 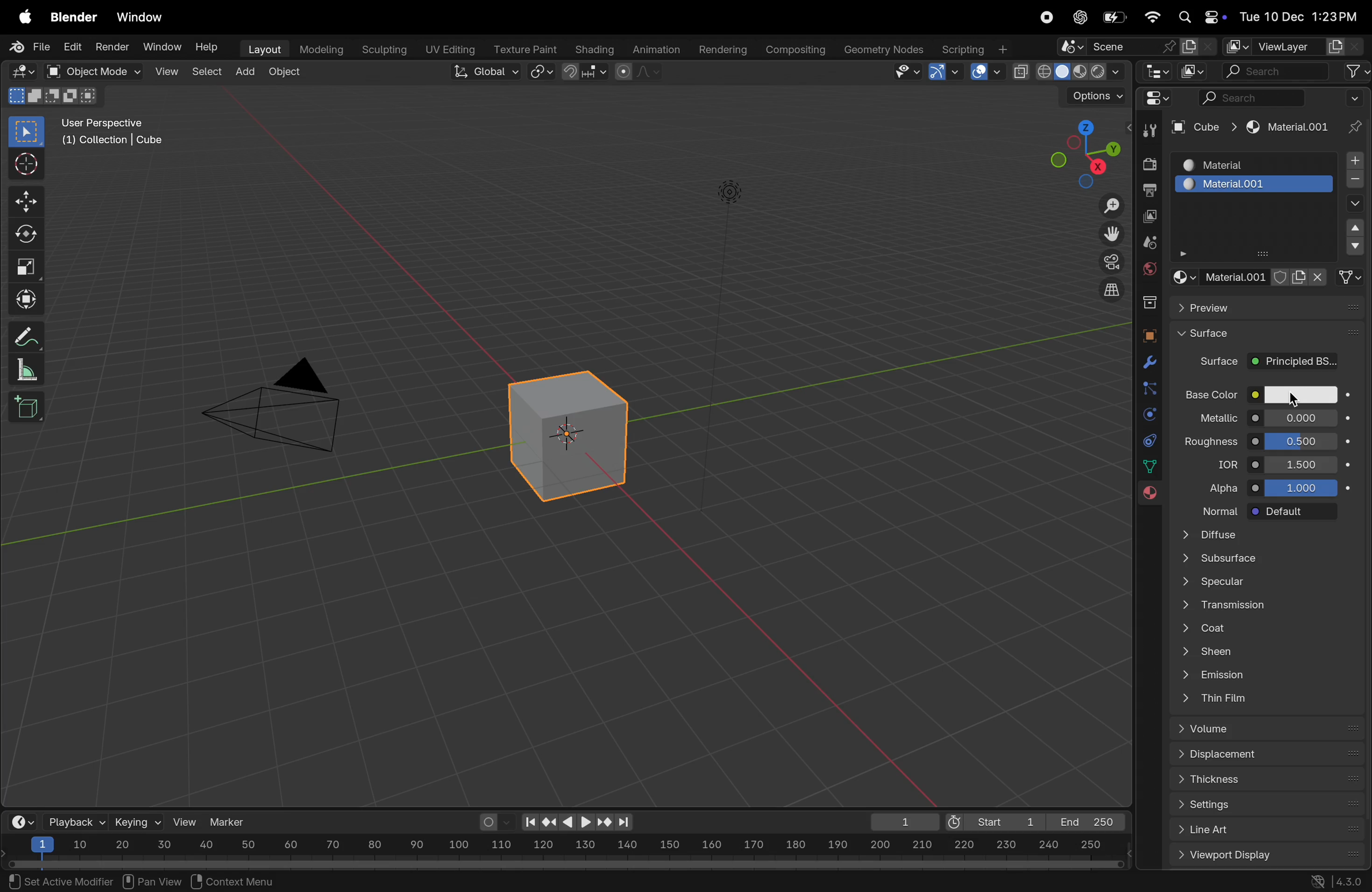 I want to click on settings, so click(x=1272, y=806).